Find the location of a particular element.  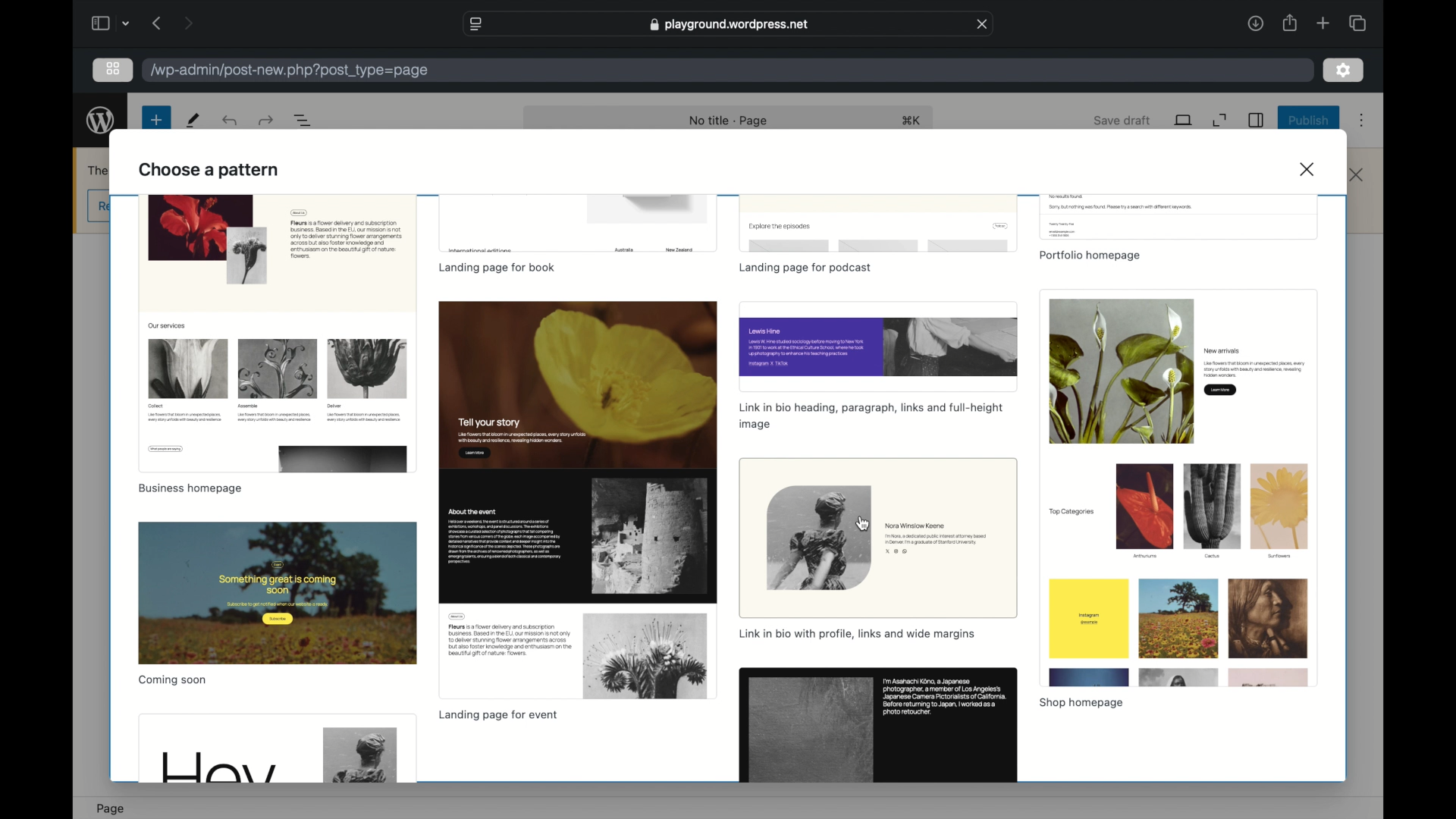

landing page for podcast is located at coordinates (806, 269).